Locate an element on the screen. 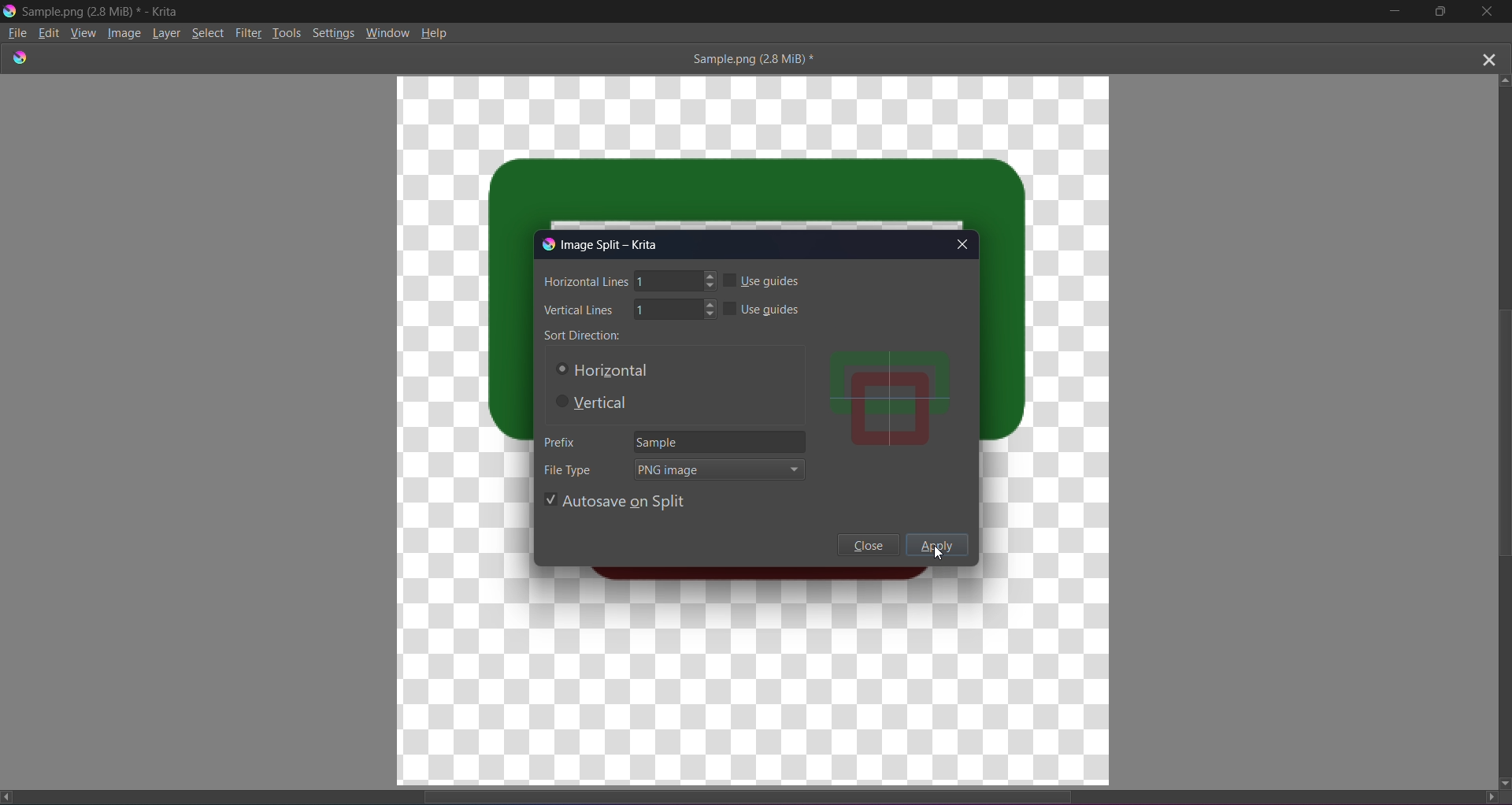 The height and width of the screenshot is (805, 1512). Select is located at coordinates (211, 32).